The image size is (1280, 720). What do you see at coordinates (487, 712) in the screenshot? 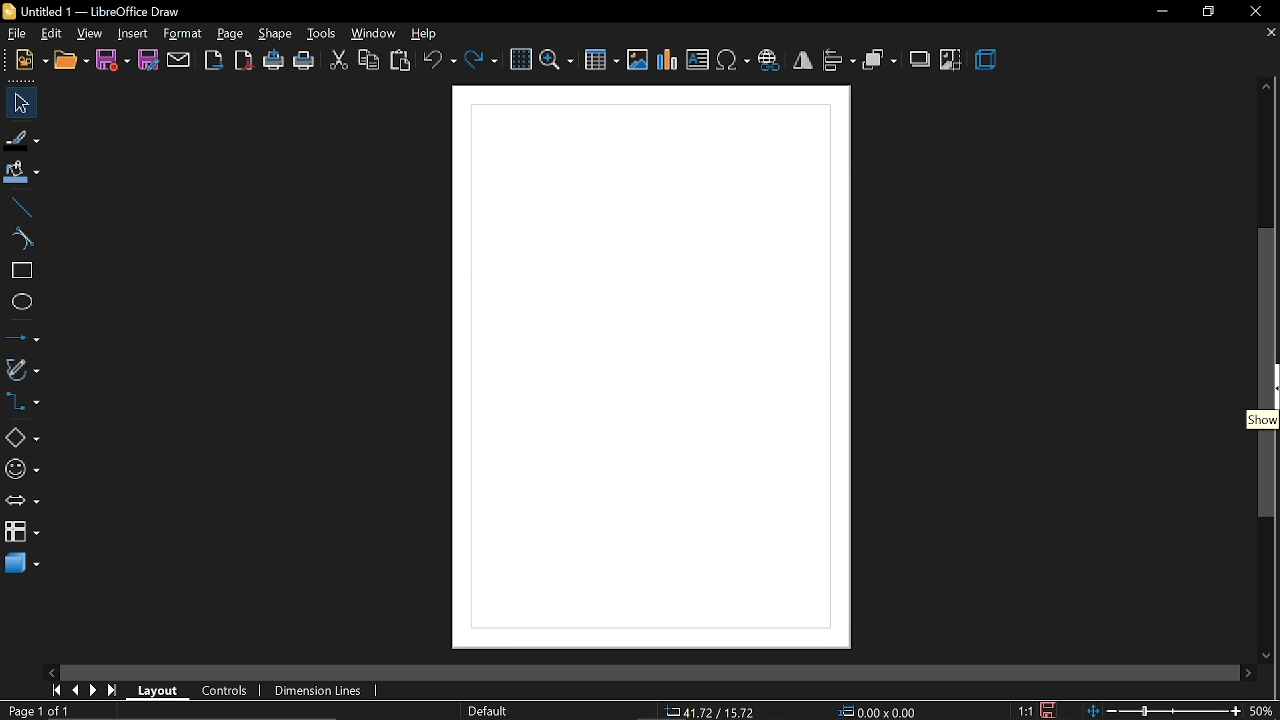
I see `page style` at bounding box center [487, 712].